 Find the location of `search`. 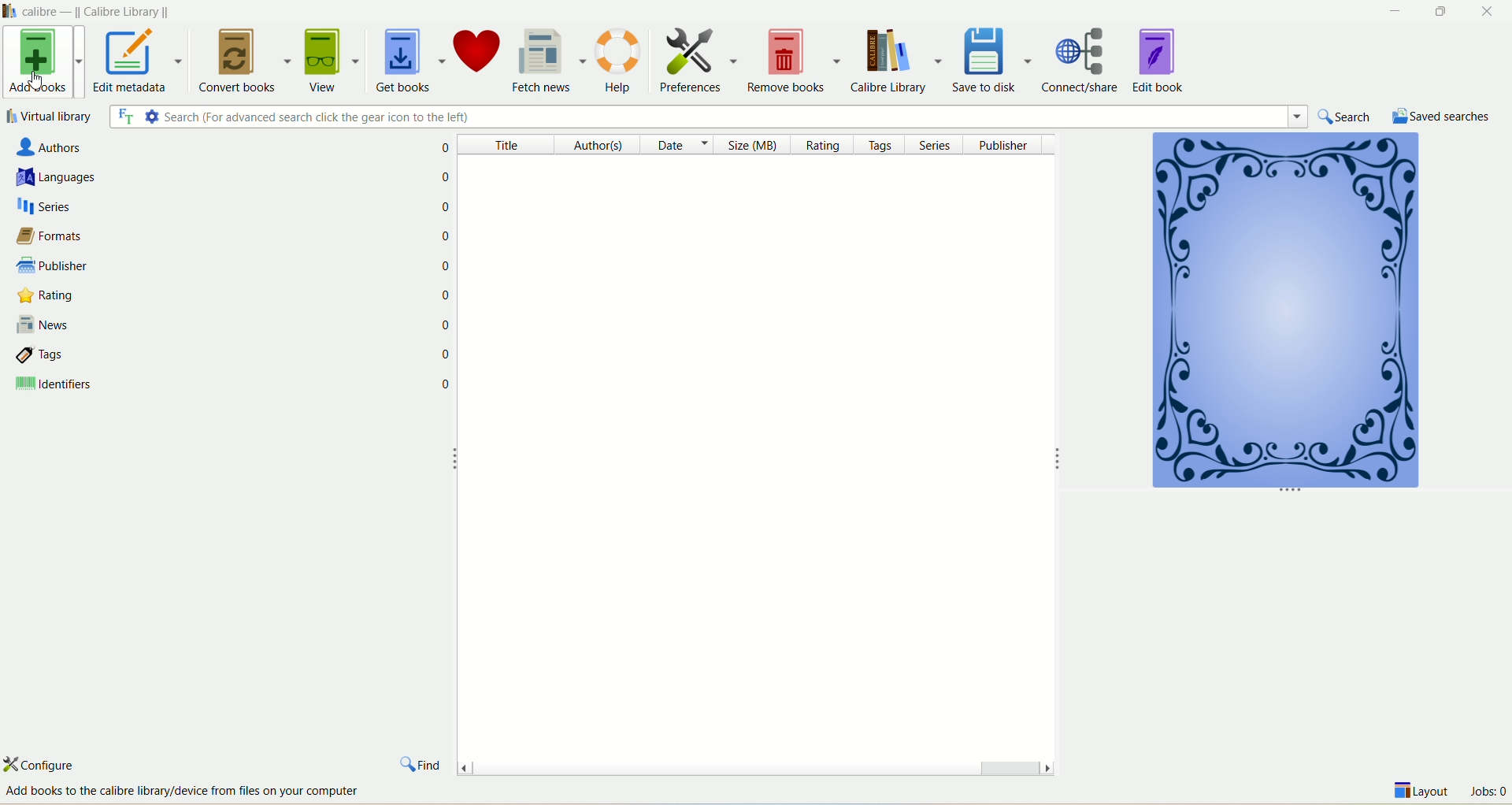

search is located at coordinates (1347, 117).